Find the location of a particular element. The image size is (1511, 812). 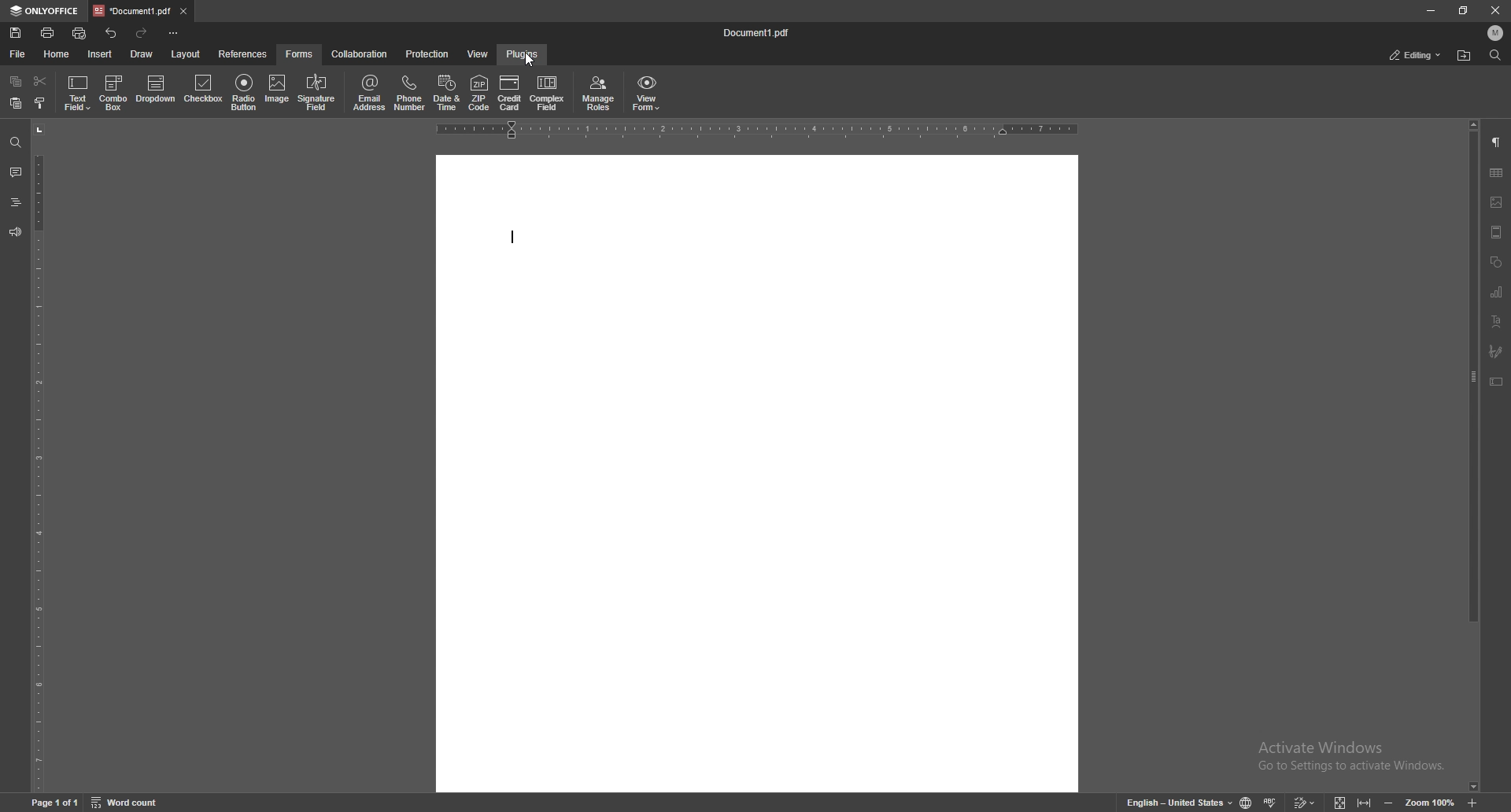

zip code is located at coordinates (479, 94).